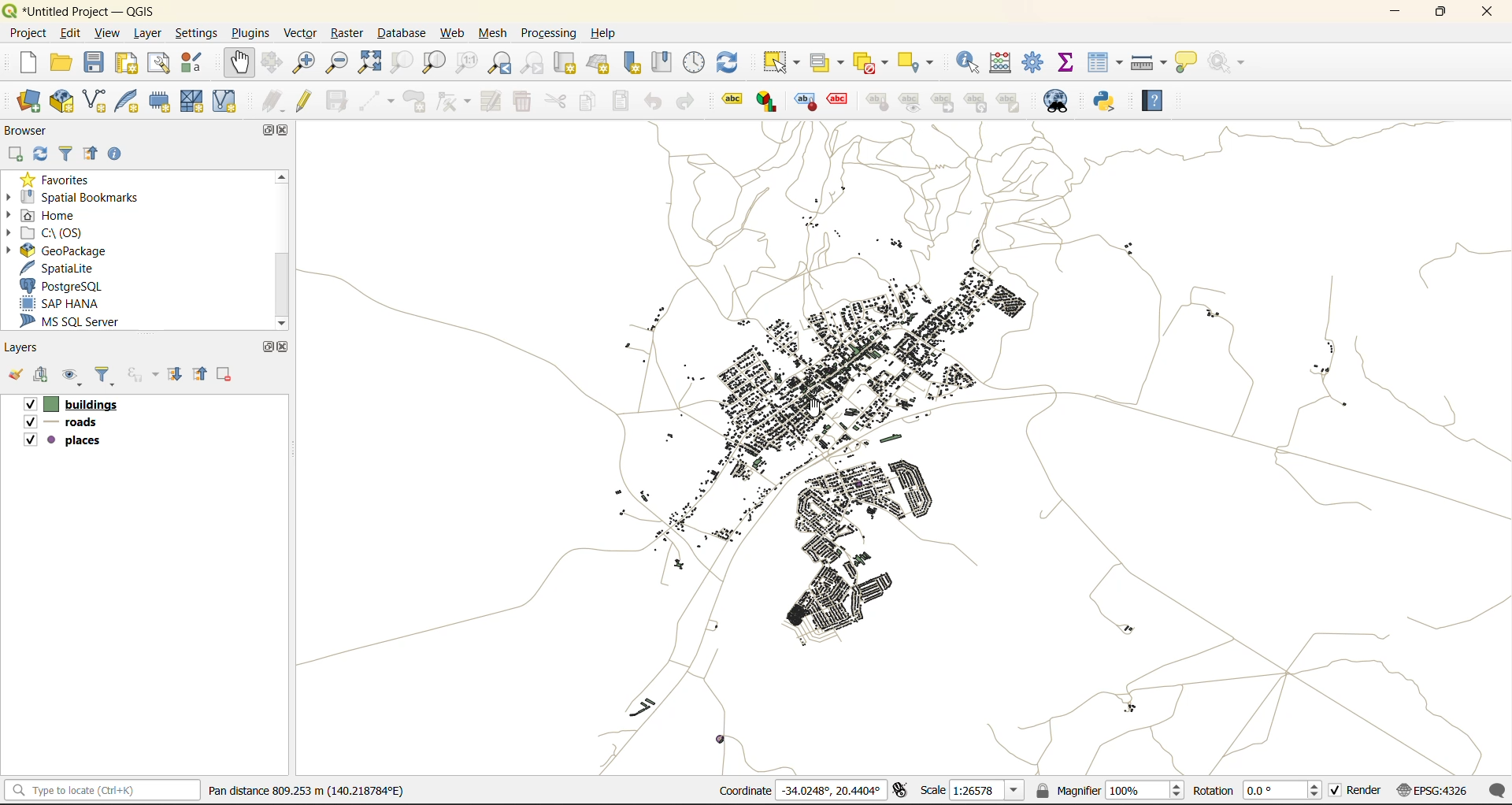 The image size is (1512, 805). What do you see at coordinates (1441, 15) in the screenshot?
I see `maximize` at bounding box center [1441, 15].